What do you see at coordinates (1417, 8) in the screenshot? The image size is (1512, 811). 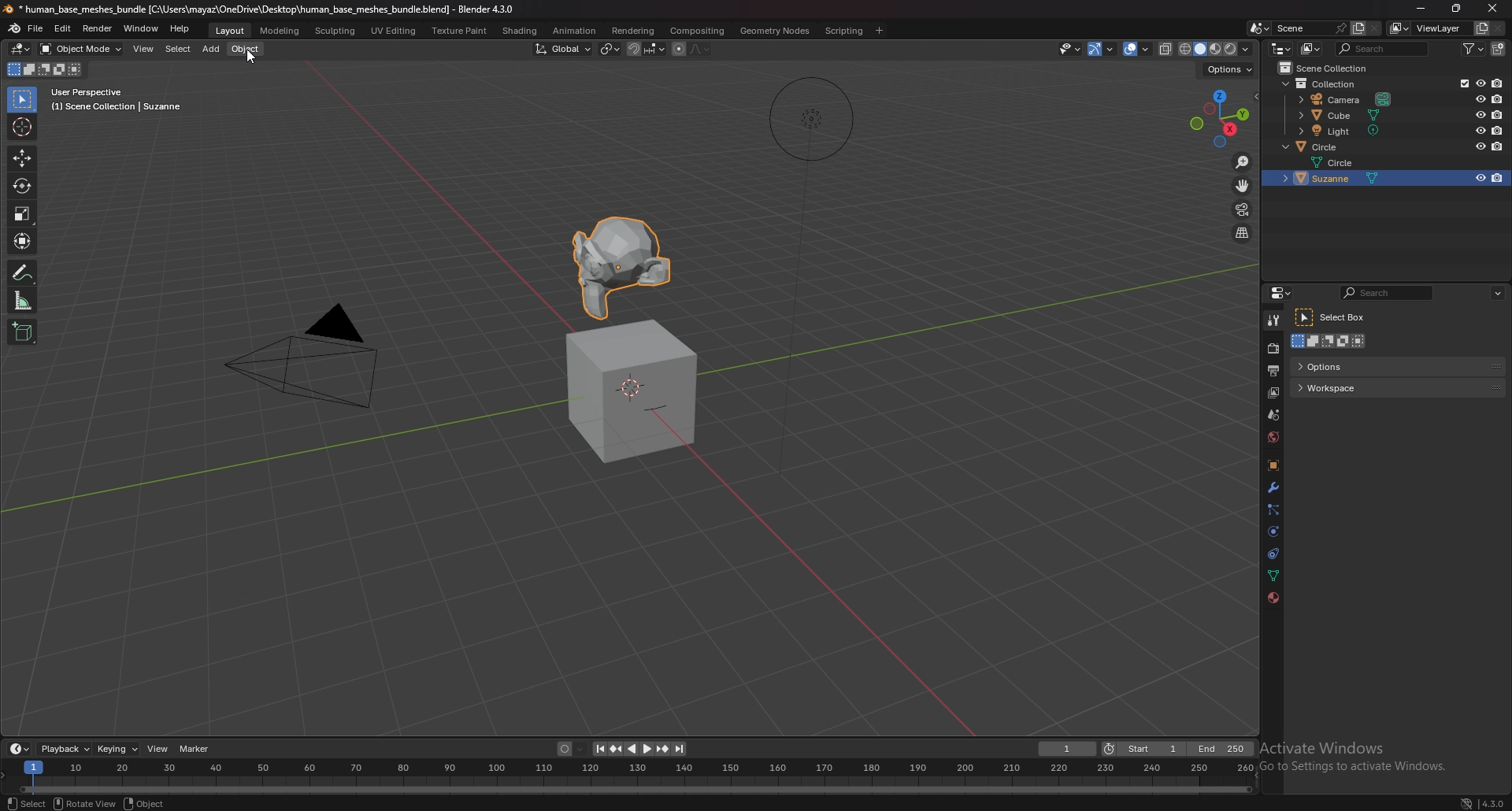 I see `minimize` at bounding box center [1417, 8].